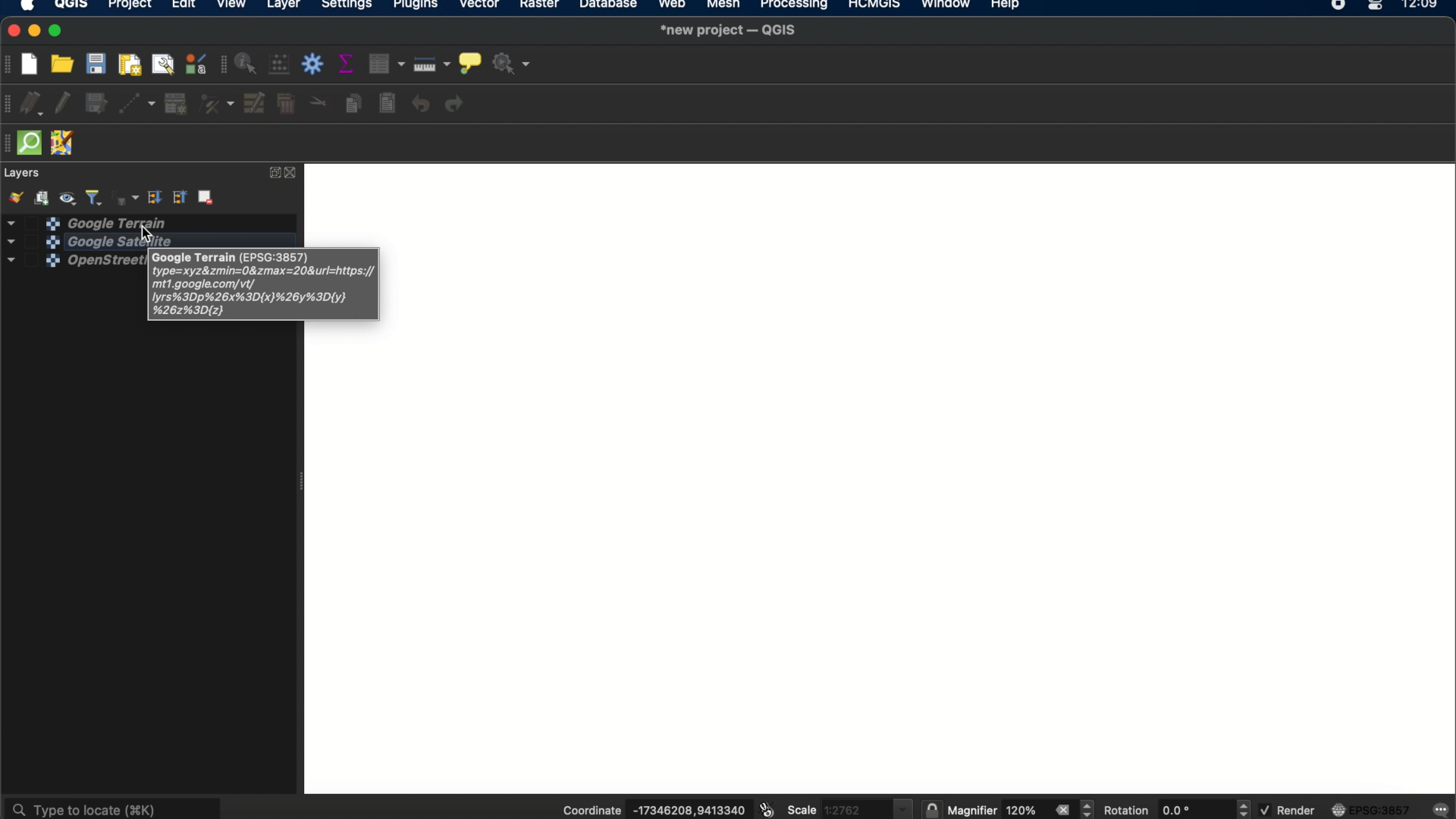 This screenshot has height=819, width=1456. I want to click on open project, so click(64, 64).